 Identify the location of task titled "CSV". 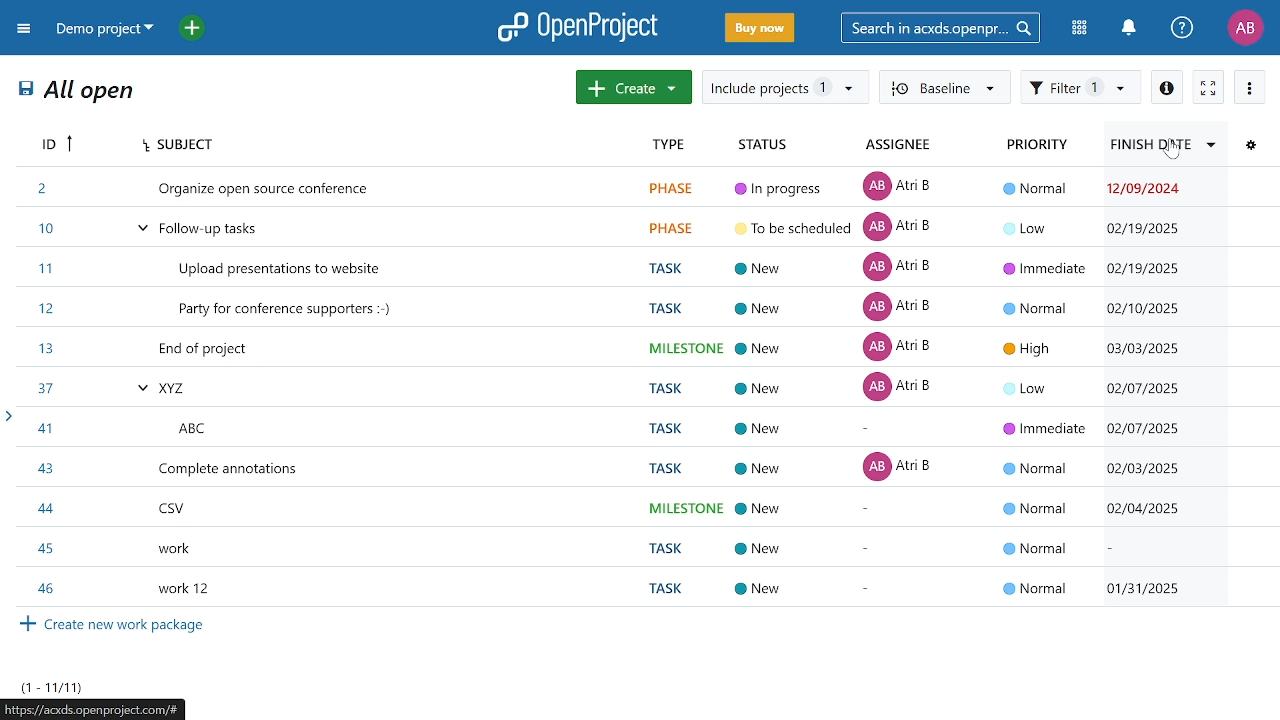
(653, 505).